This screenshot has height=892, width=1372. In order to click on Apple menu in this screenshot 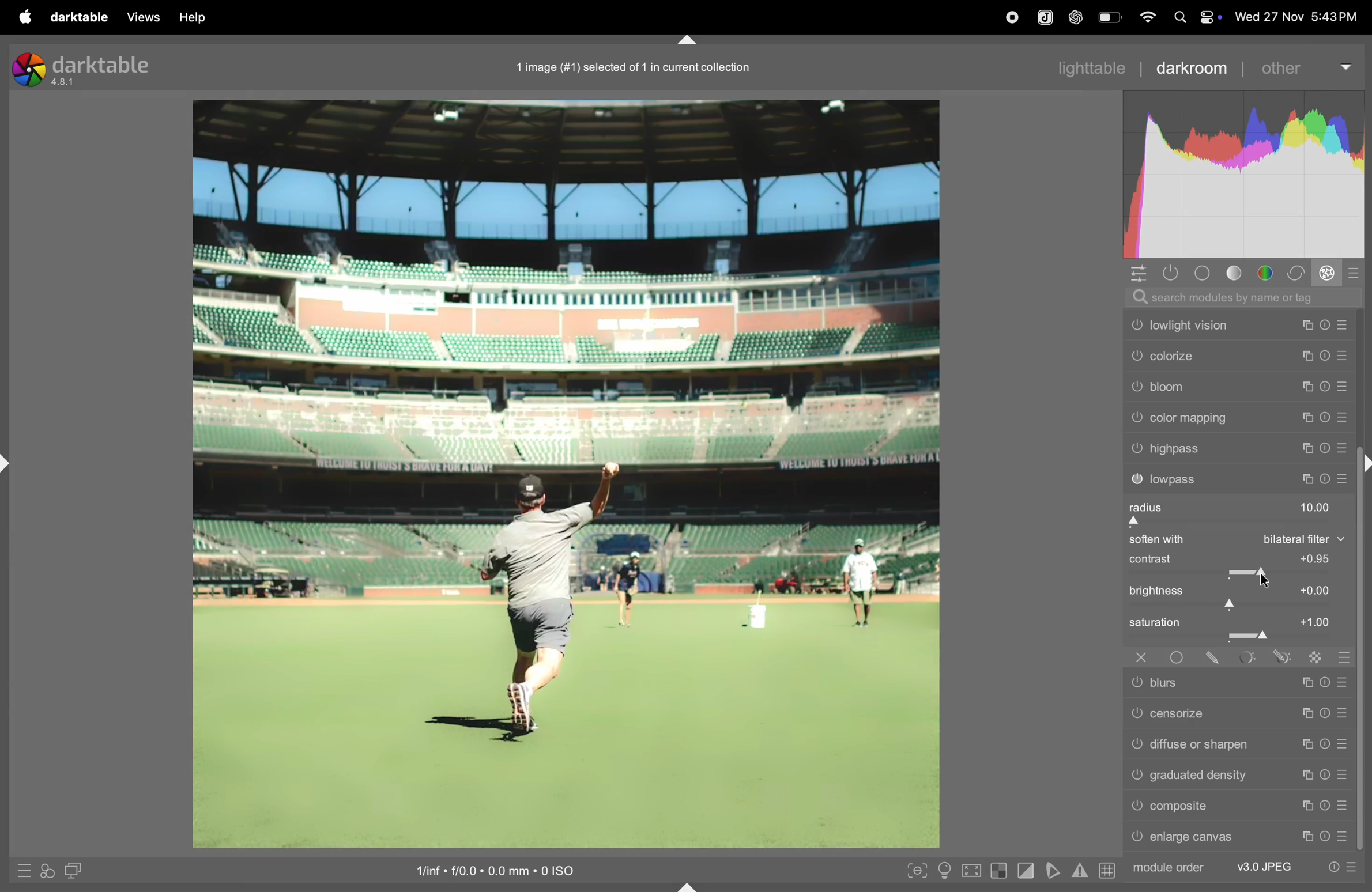, I will do `click(24, 17)`.